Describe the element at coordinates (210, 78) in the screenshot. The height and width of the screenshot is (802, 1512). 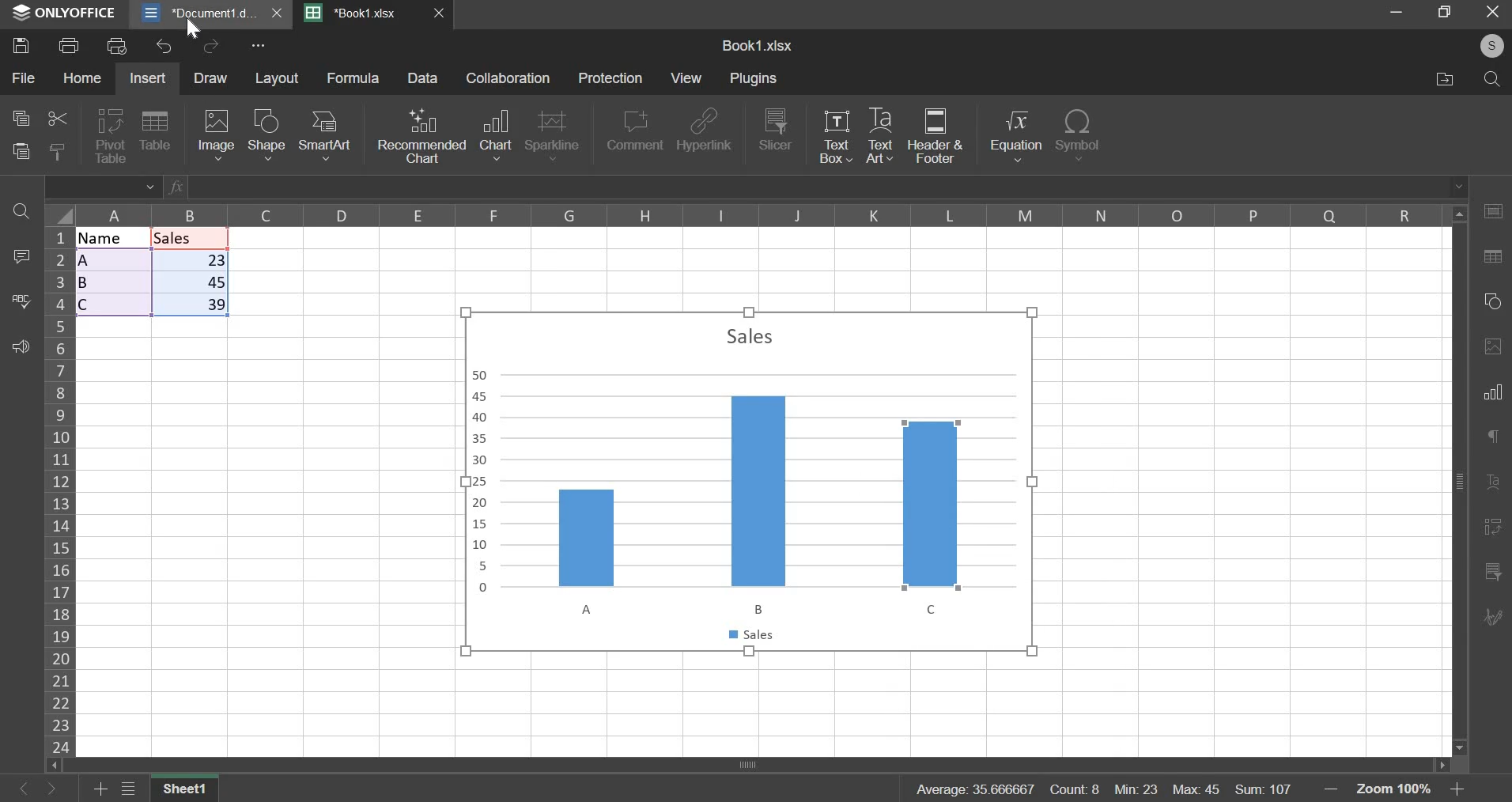
I see `draw` at that location.